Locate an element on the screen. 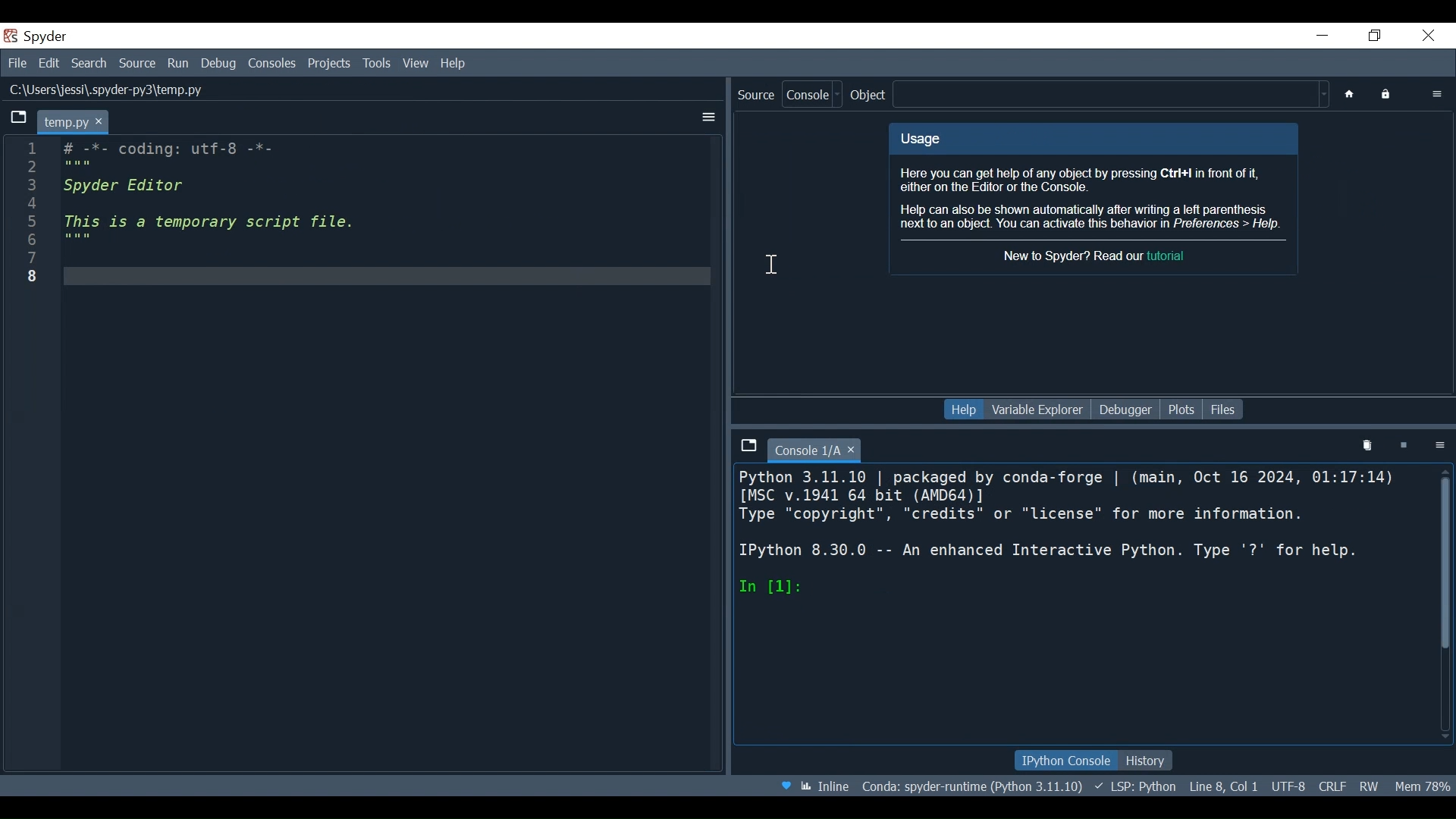 The height and width of the screenshot is (819, 1456). Edit is located at coordinates (51, 64).